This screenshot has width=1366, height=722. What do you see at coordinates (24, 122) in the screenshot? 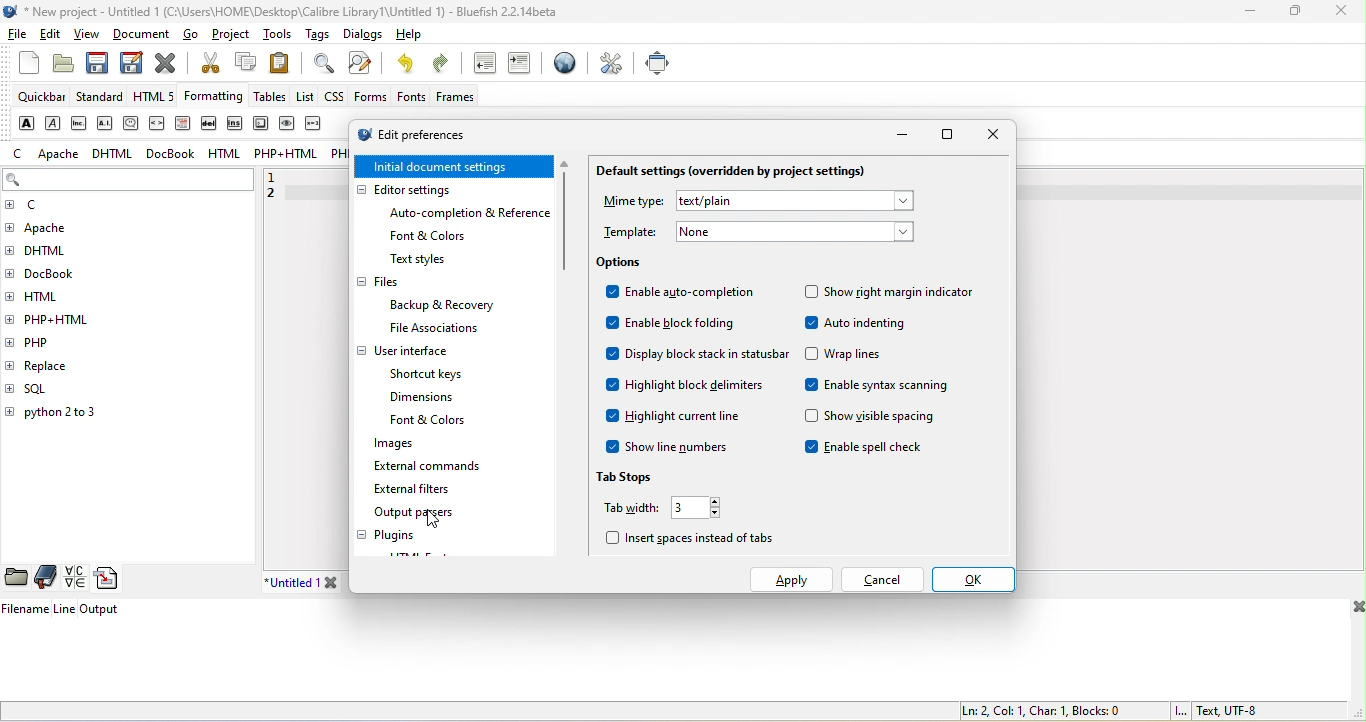
I see `strong` at bounding box center [24, 122].